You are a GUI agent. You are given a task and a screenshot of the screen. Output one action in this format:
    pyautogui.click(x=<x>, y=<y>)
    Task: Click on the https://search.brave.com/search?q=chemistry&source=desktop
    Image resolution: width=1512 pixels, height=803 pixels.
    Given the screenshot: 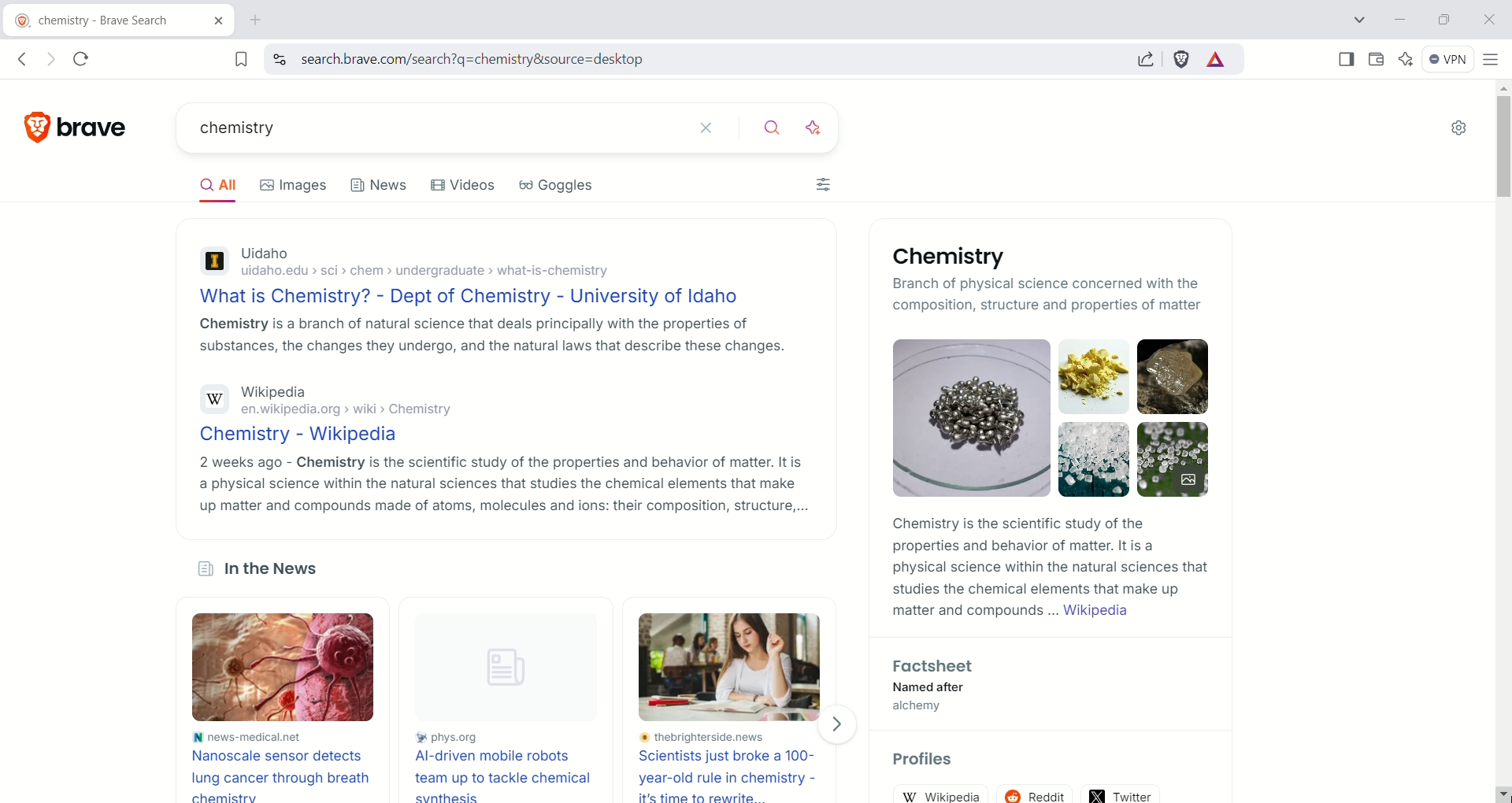 What is the action you would take?
    pyautogui.click(x=498, y=60)
    